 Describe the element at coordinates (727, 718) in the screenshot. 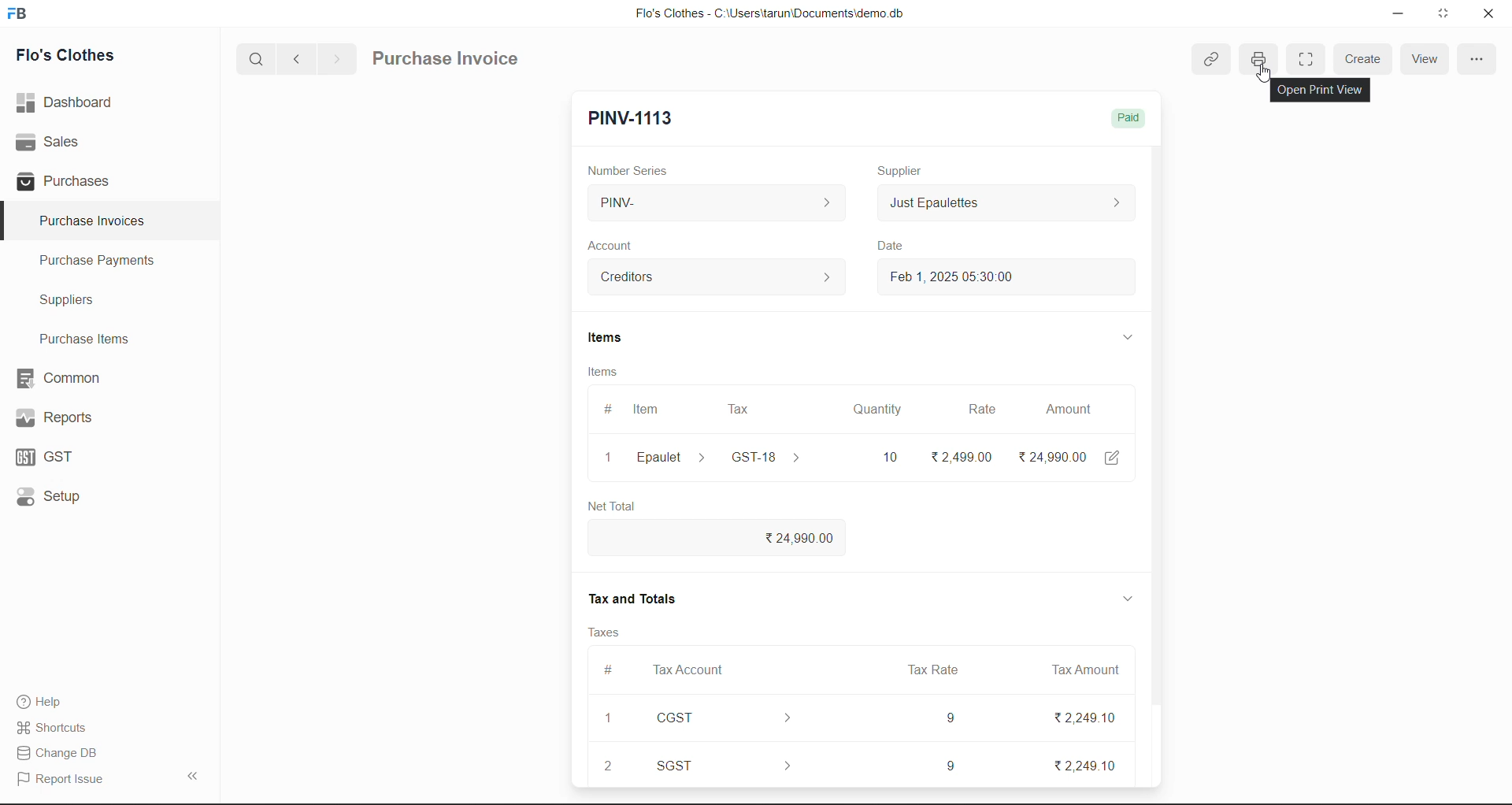

I see `CGST` at that location.